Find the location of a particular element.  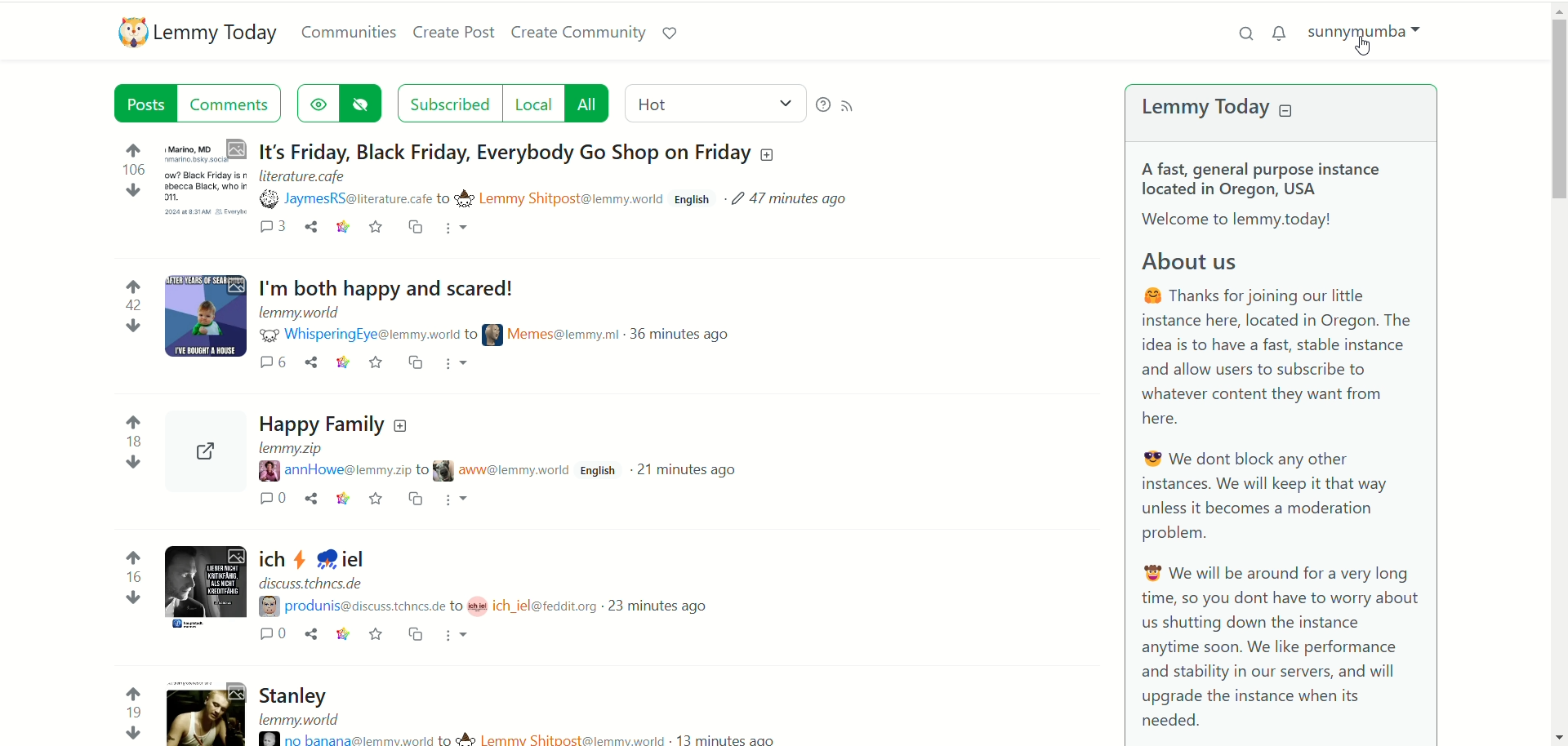

search is located at coordinates (1241, 32).